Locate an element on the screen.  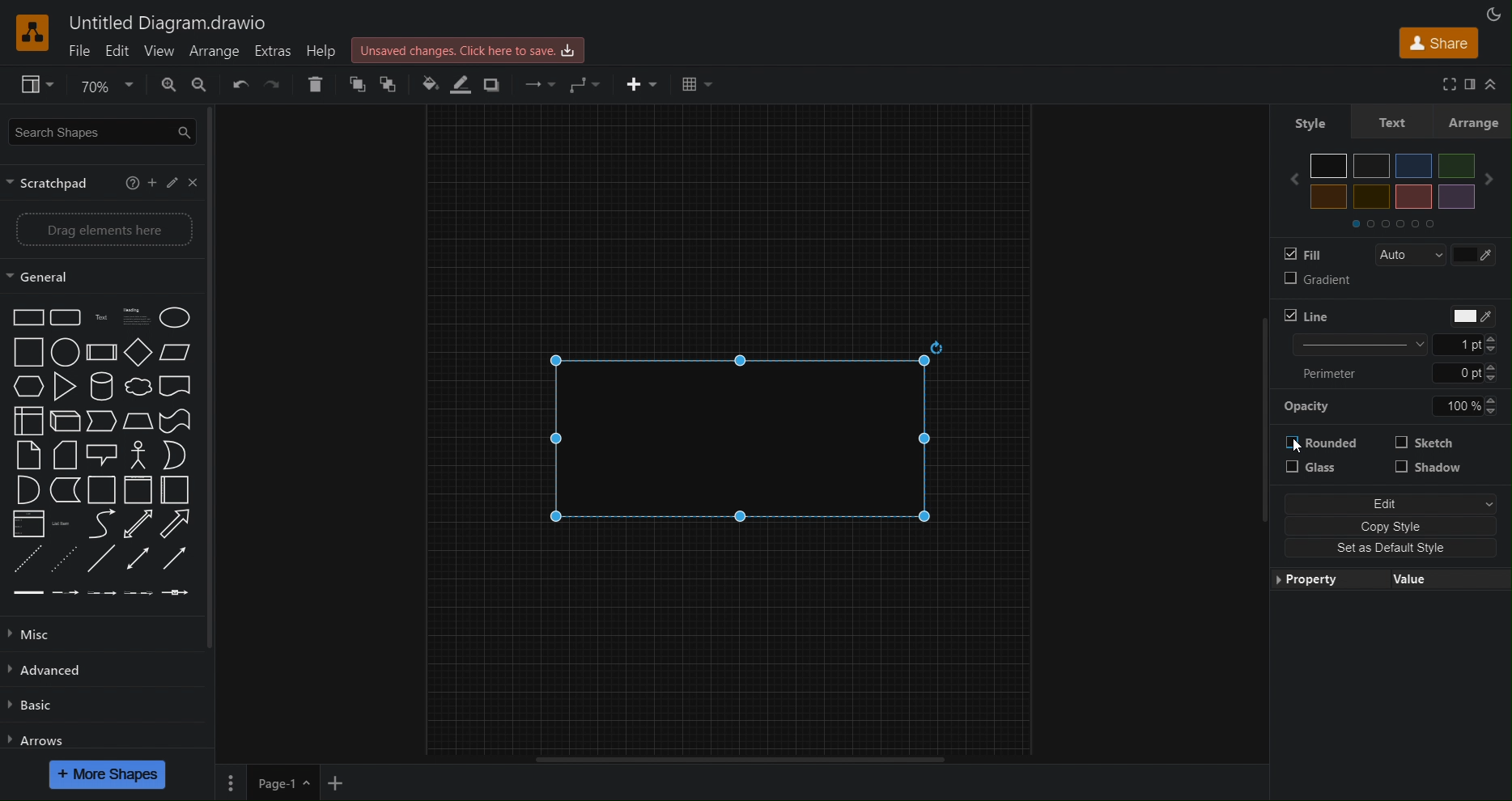
Search Shapes is located at coordinates (95, 133).